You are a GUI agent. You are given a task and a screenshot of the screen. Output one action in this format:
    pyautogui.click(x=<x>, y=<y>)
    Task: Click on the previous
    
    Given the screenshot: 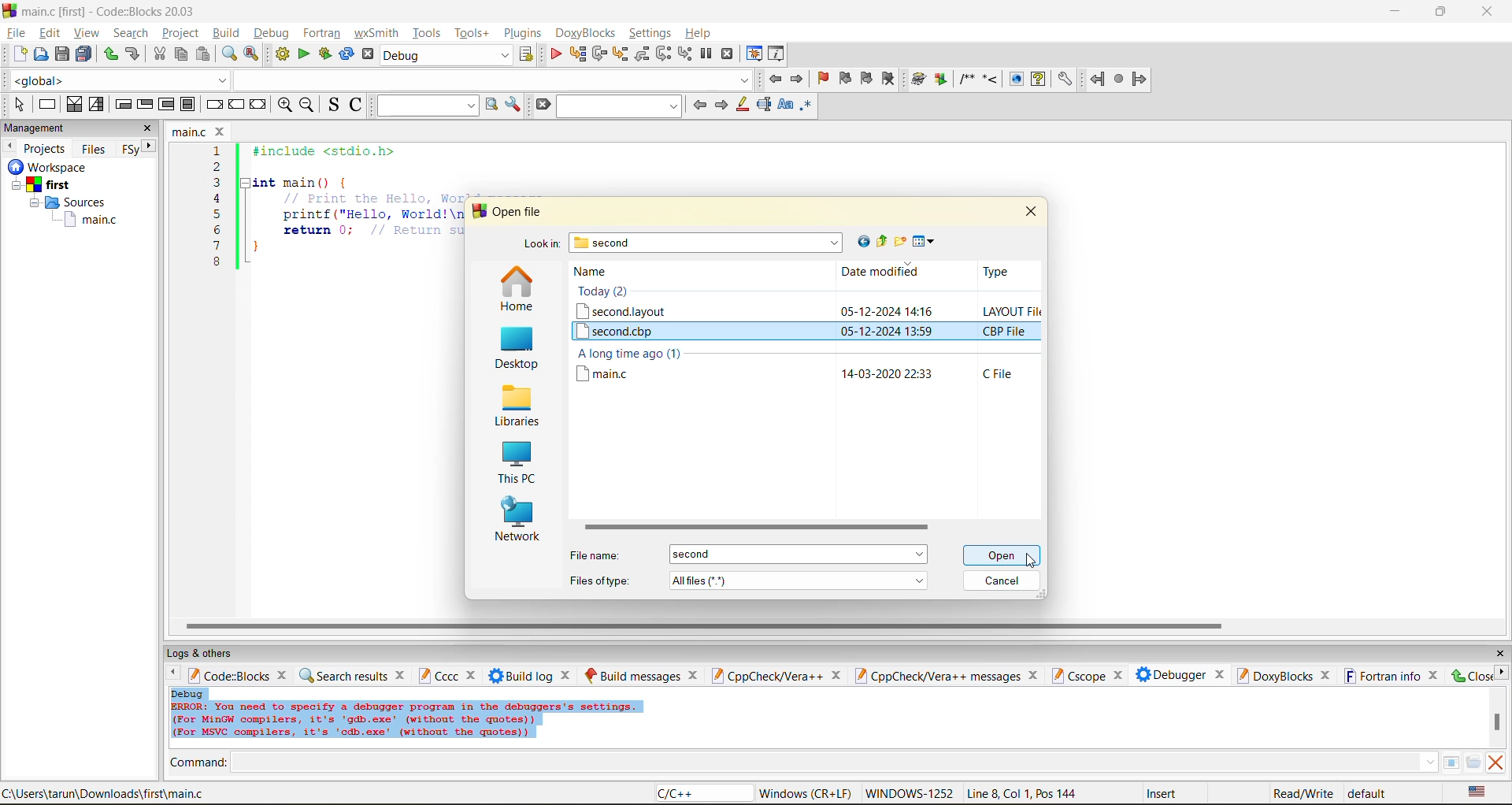 What is the action you would take?
    pyautogui.click(x=169, y=674)
    